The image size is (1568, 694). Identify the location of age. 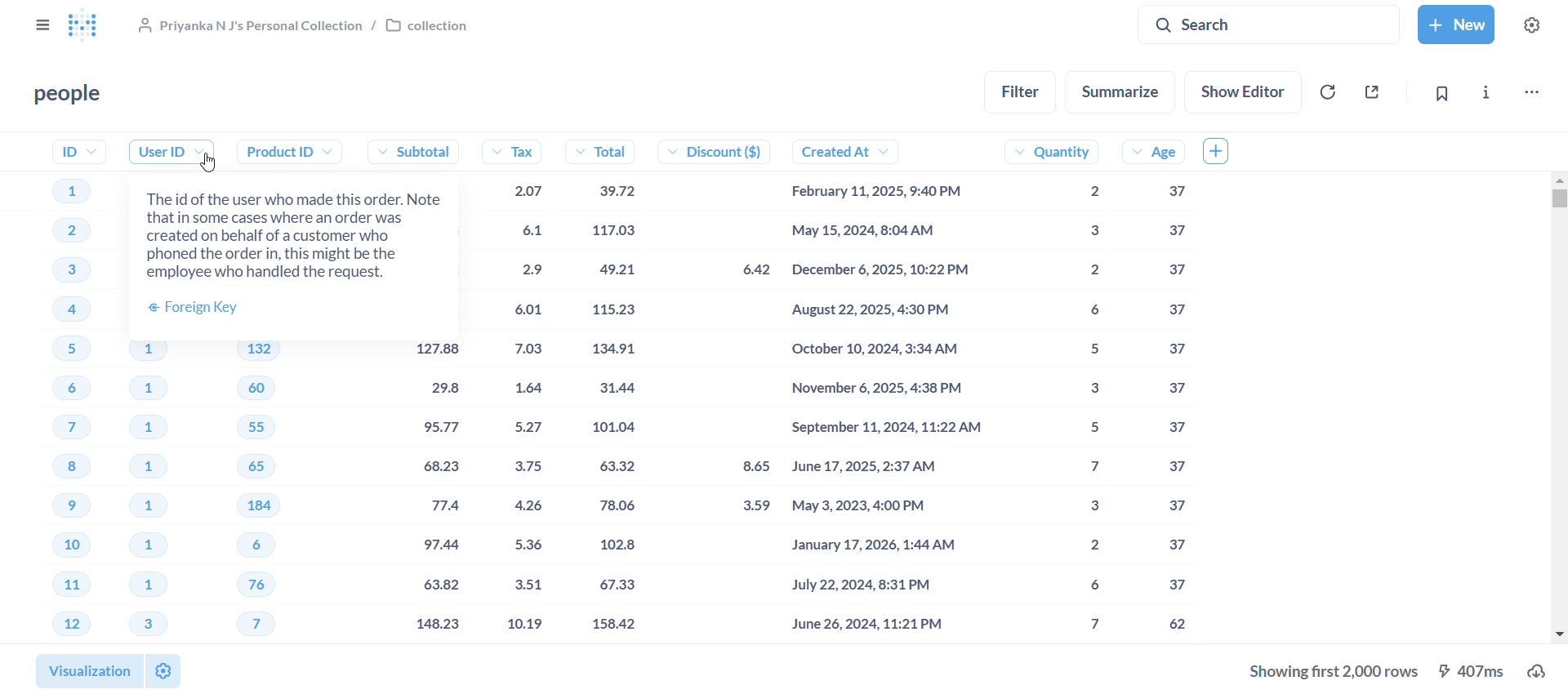
(1163, 388).